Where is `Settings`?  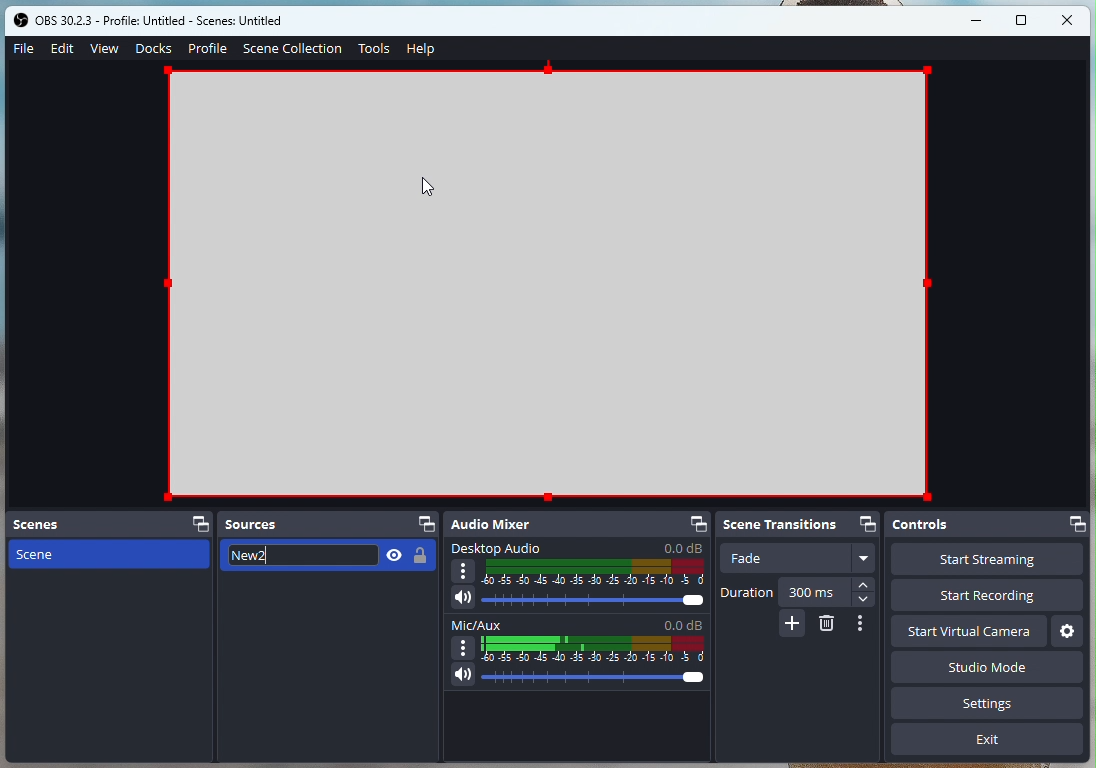
Settings is located at coordinates (991, 706).